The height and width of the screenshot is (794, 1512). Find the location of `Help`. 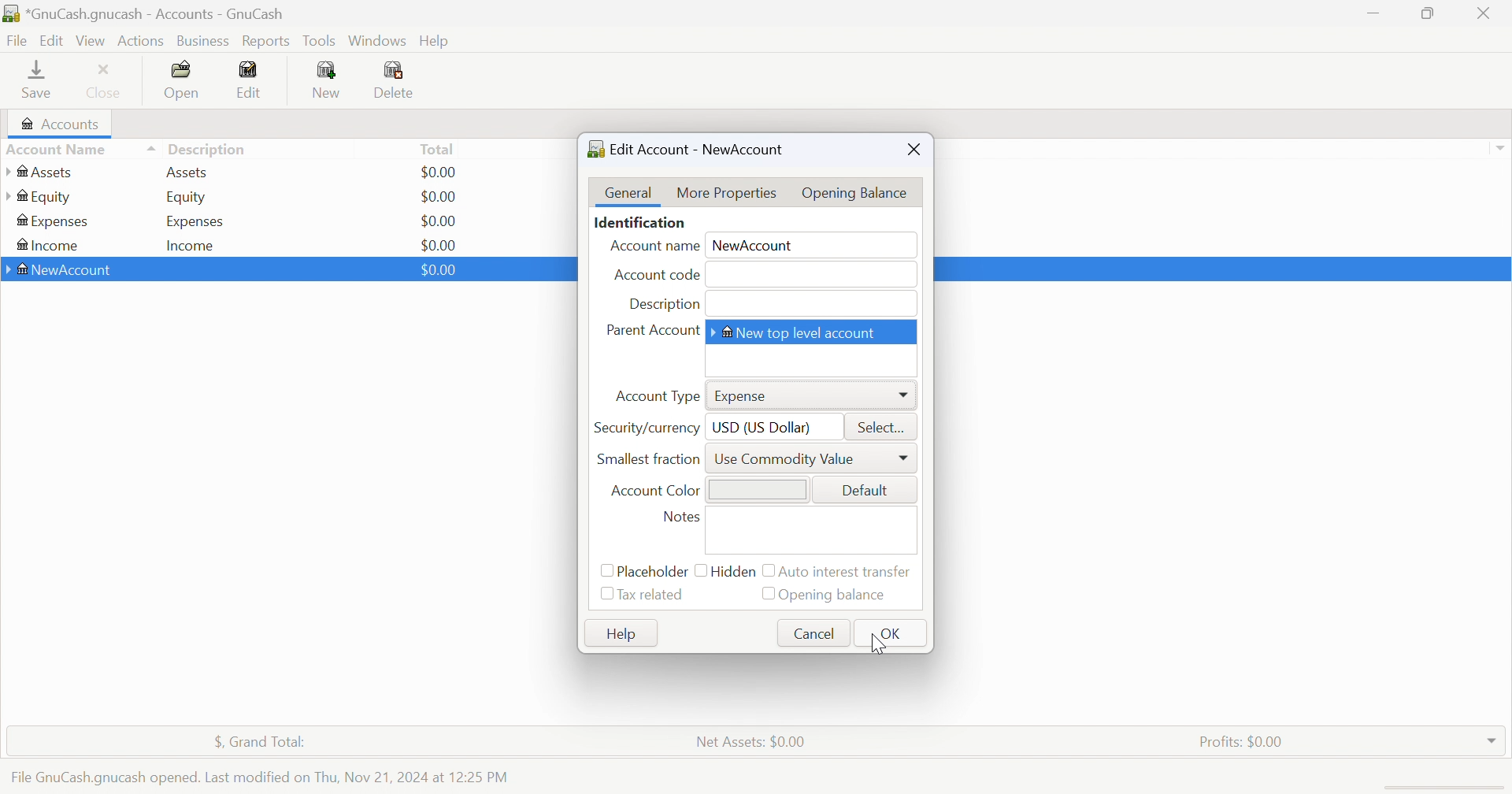

Help is located at coordinates (439, 41).